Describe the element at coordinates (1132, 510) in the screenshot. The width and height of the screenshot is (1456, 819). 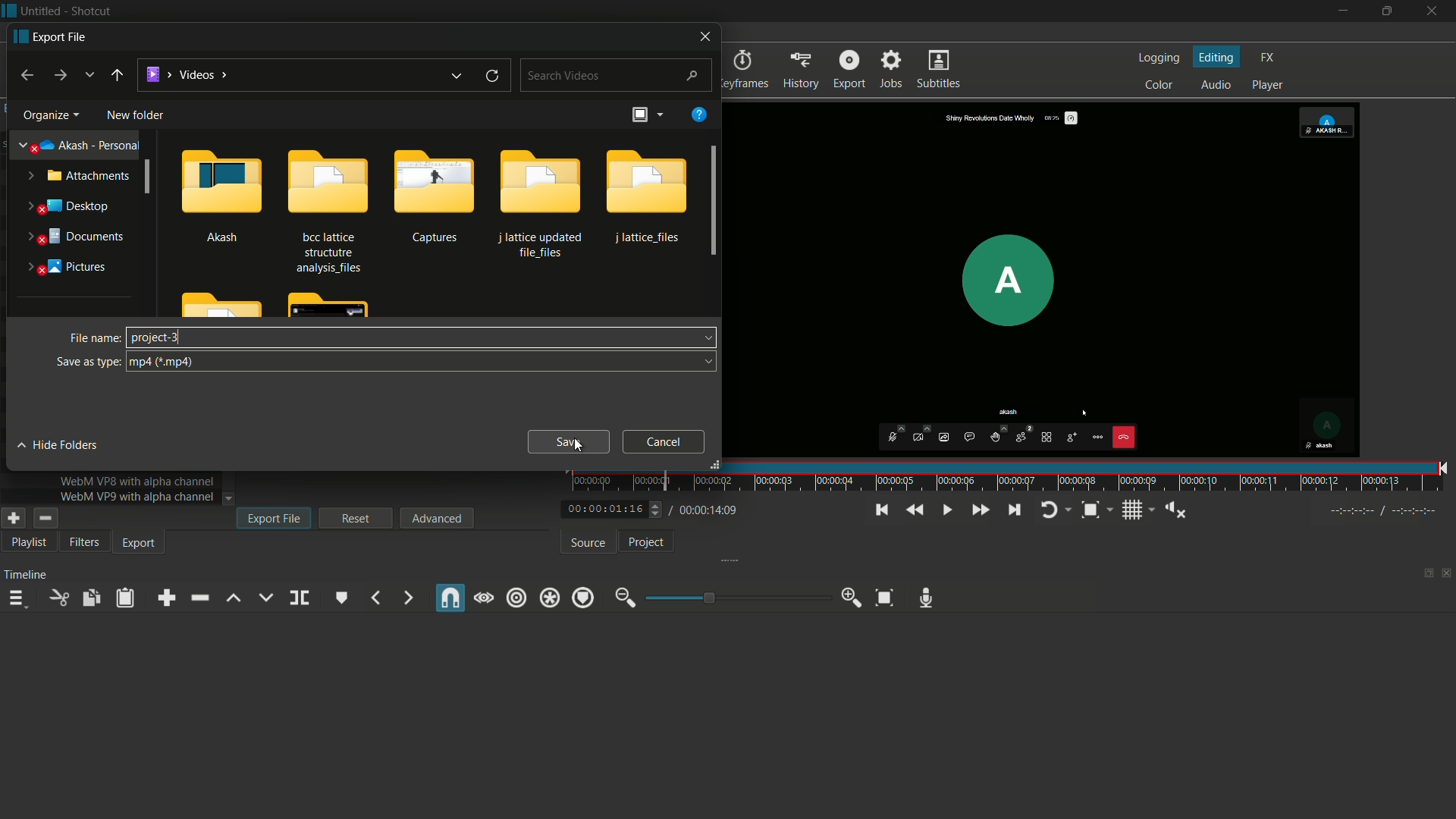
I see `toggle grid` at that location.